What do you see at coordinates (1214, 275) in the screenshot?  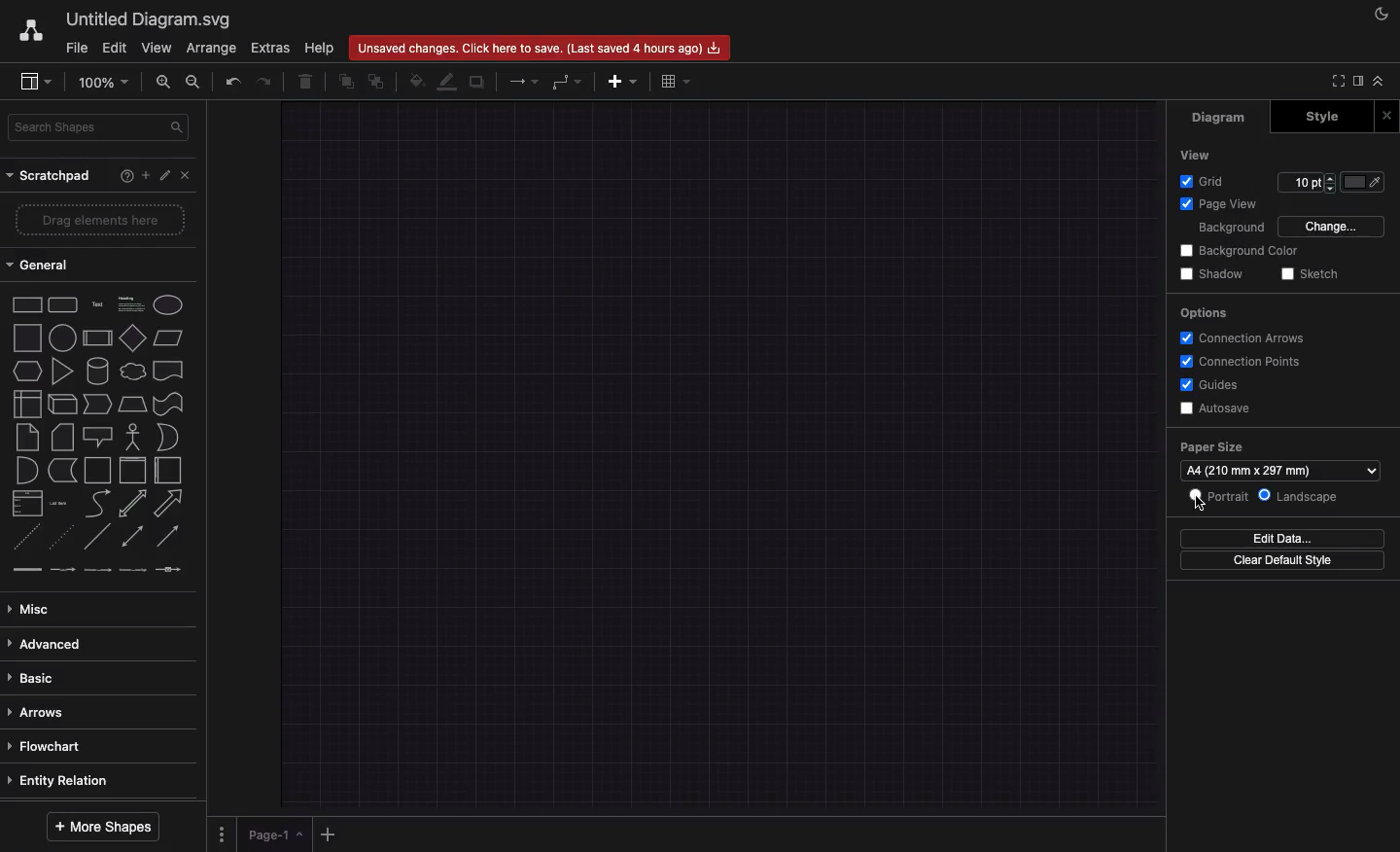 I see `Shadow` at bounding box center [1214, 275].